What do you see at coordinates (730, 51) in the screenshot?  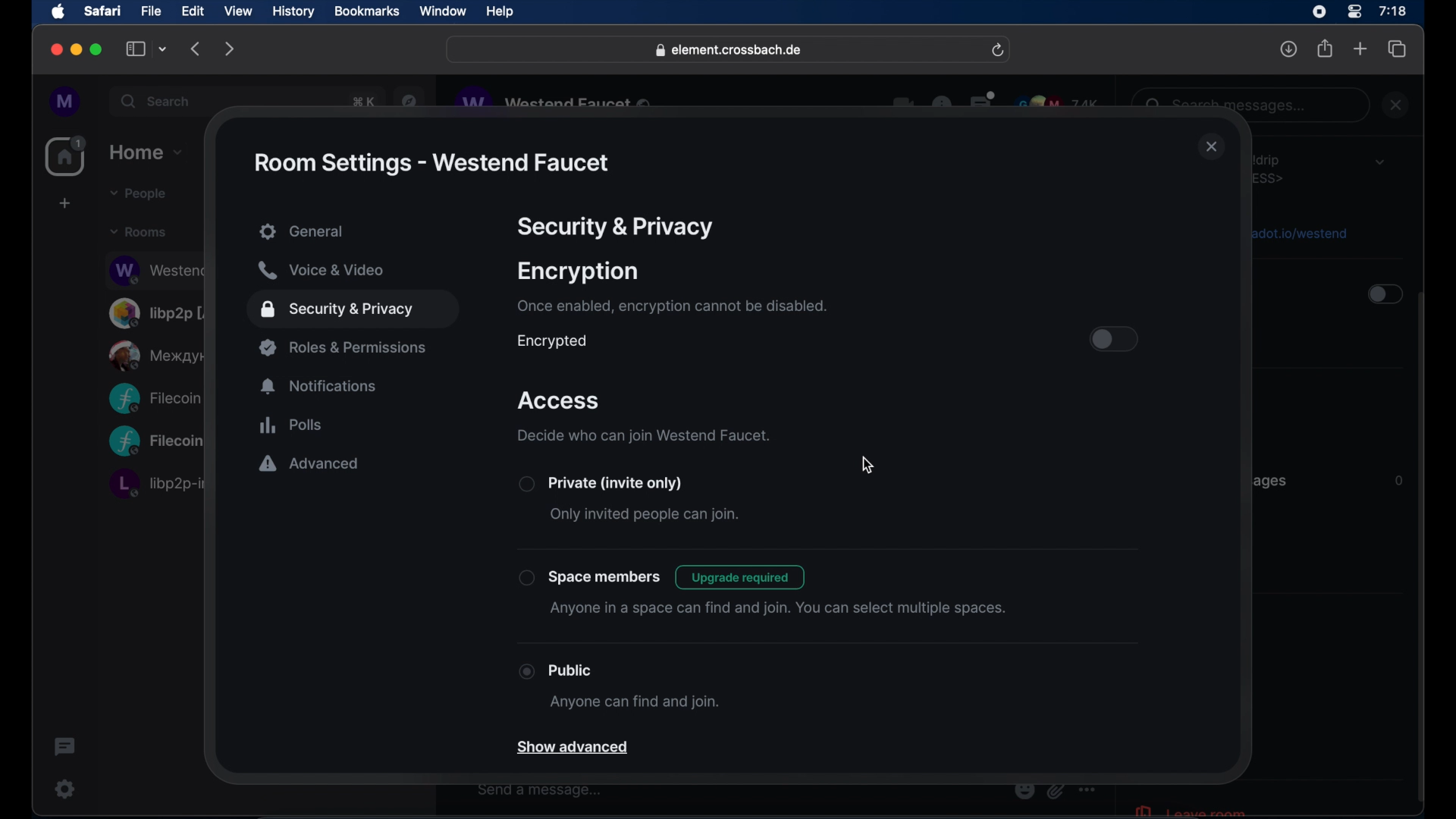 I see `web address` at bounding box center [730, 51].